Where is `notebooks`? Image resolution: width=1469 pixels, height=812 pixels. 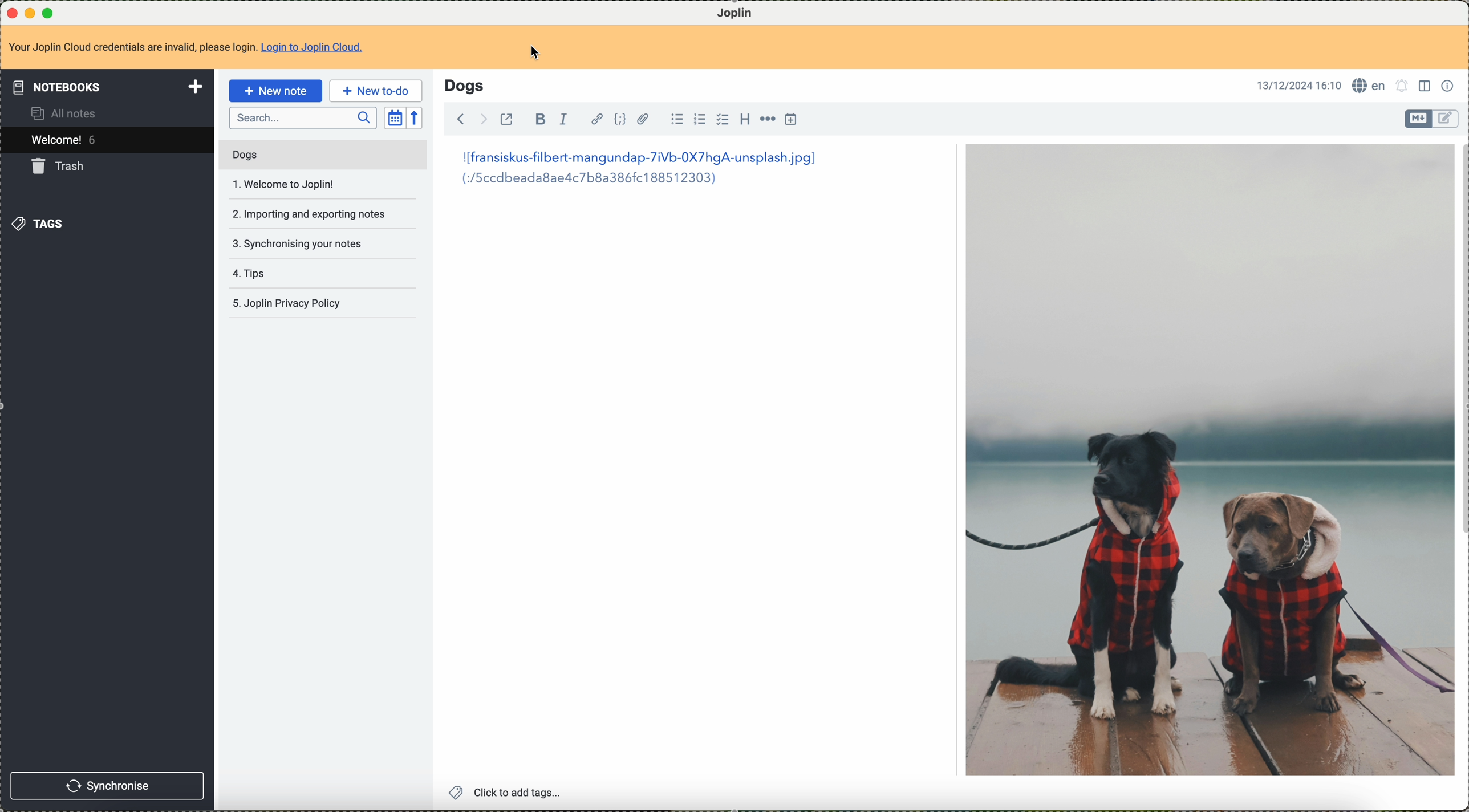
notebooks is located at coordinates (107, 85).